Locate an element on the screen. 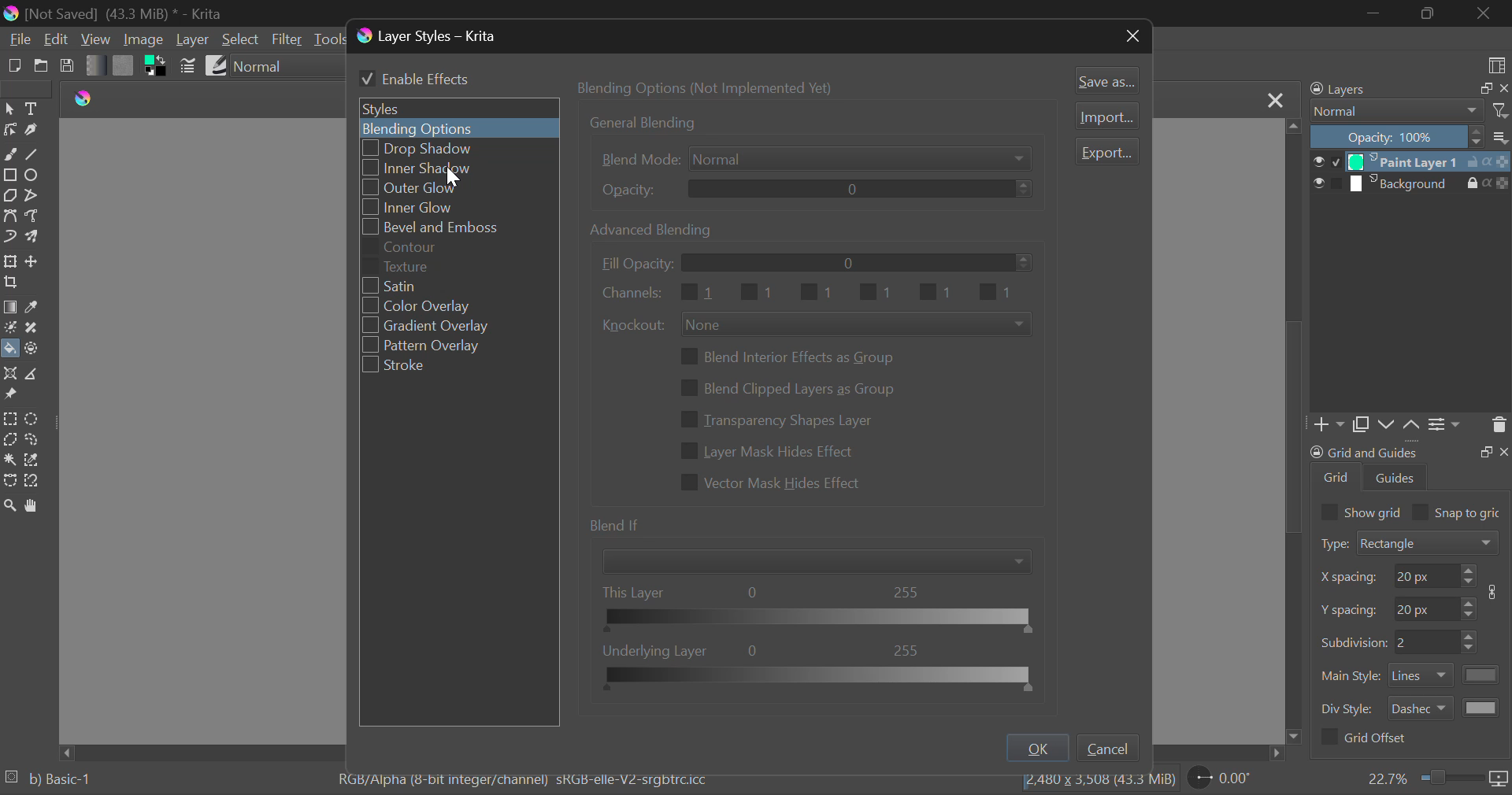 The height and width of the screenshot is (795, 1512). Blending Mode is located at coordinates (285, 66).